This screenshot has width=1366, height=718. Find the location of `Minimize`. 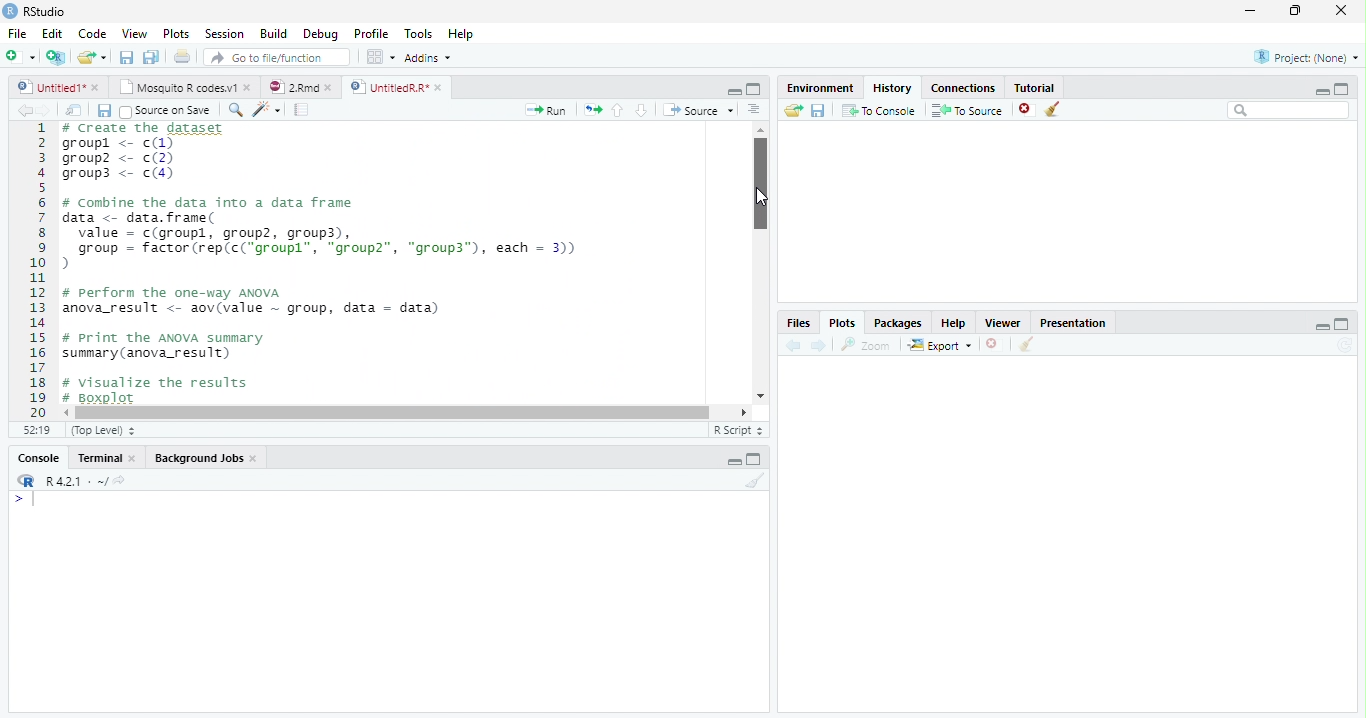

Minimize is located at coordinates (731, 90).